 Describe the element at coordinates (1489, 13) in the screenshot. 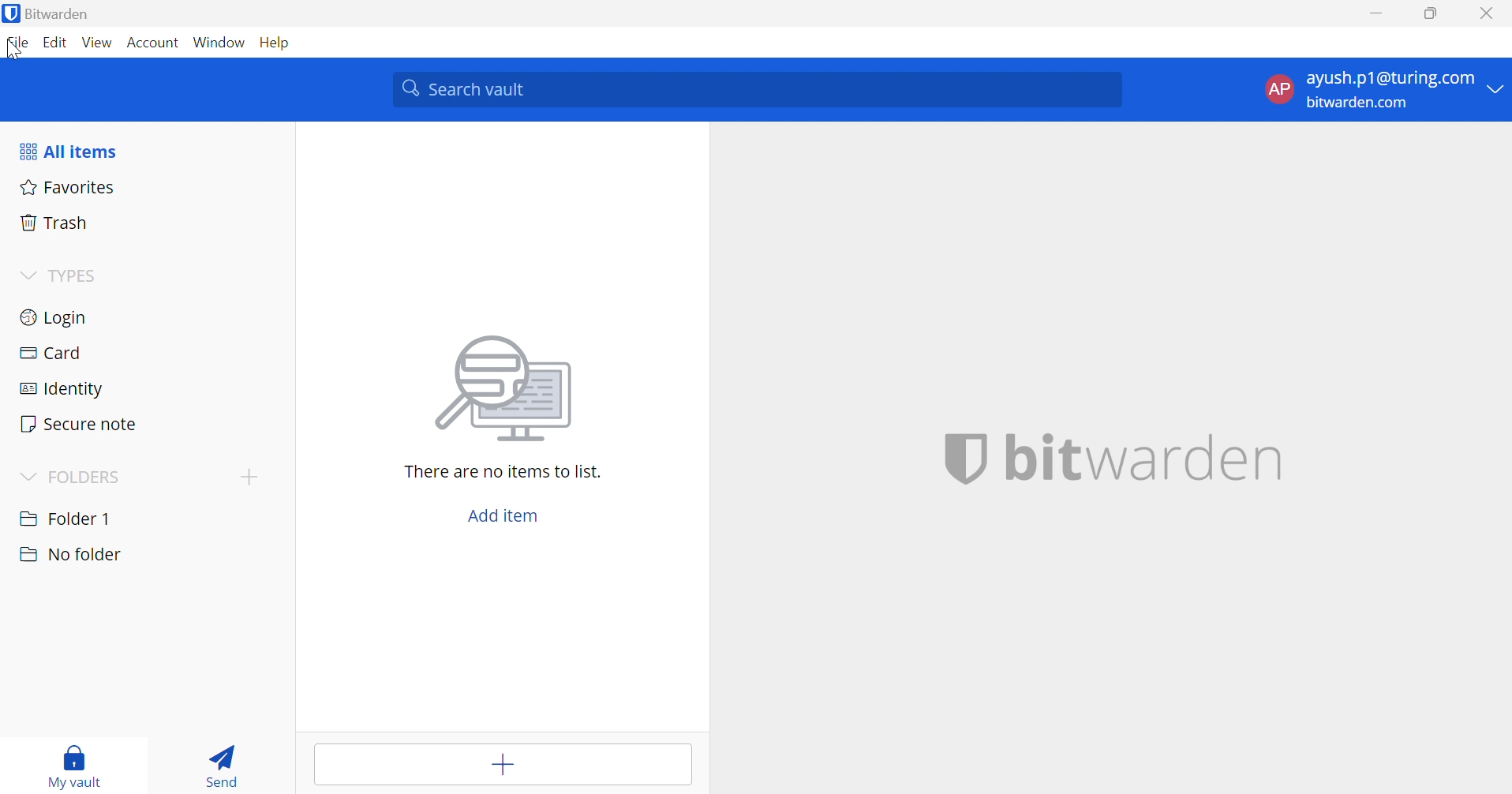

I see `Close` at that location.